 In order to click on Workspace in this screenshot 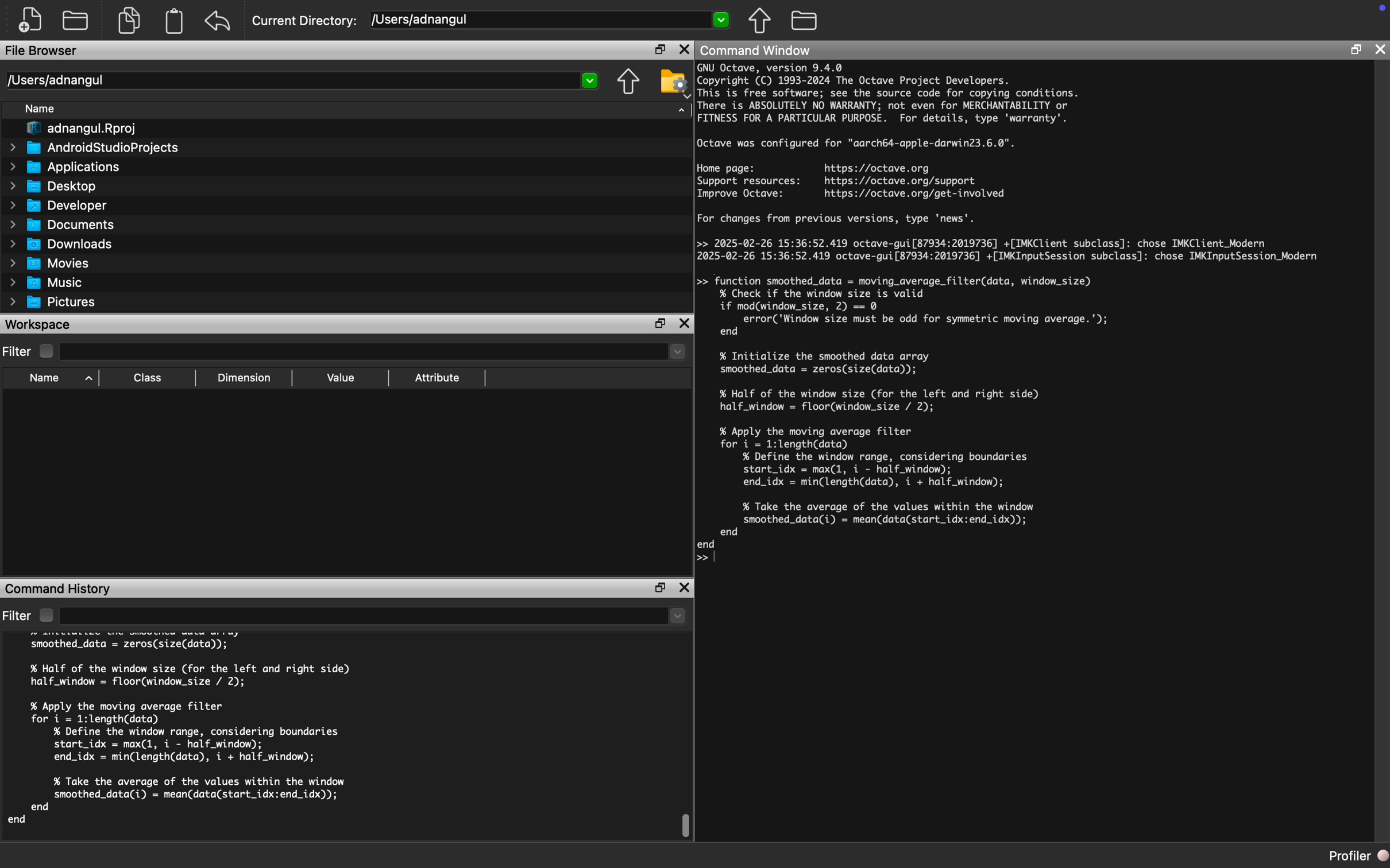, I will do `click(38, 325)`.